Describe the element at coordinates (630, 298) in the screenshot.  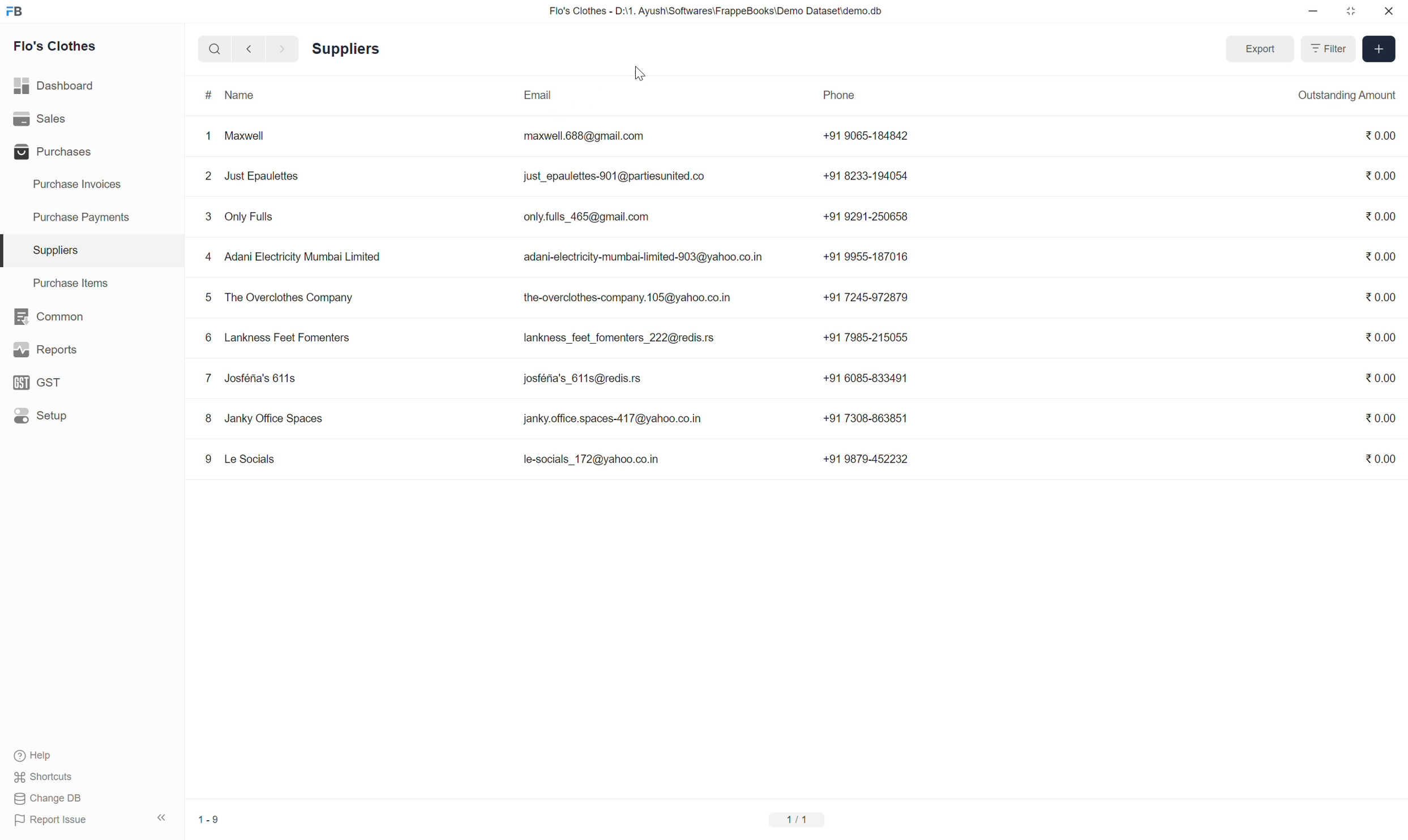
I see `the-overclothes-company.105@yahoo.co.in` at that location.